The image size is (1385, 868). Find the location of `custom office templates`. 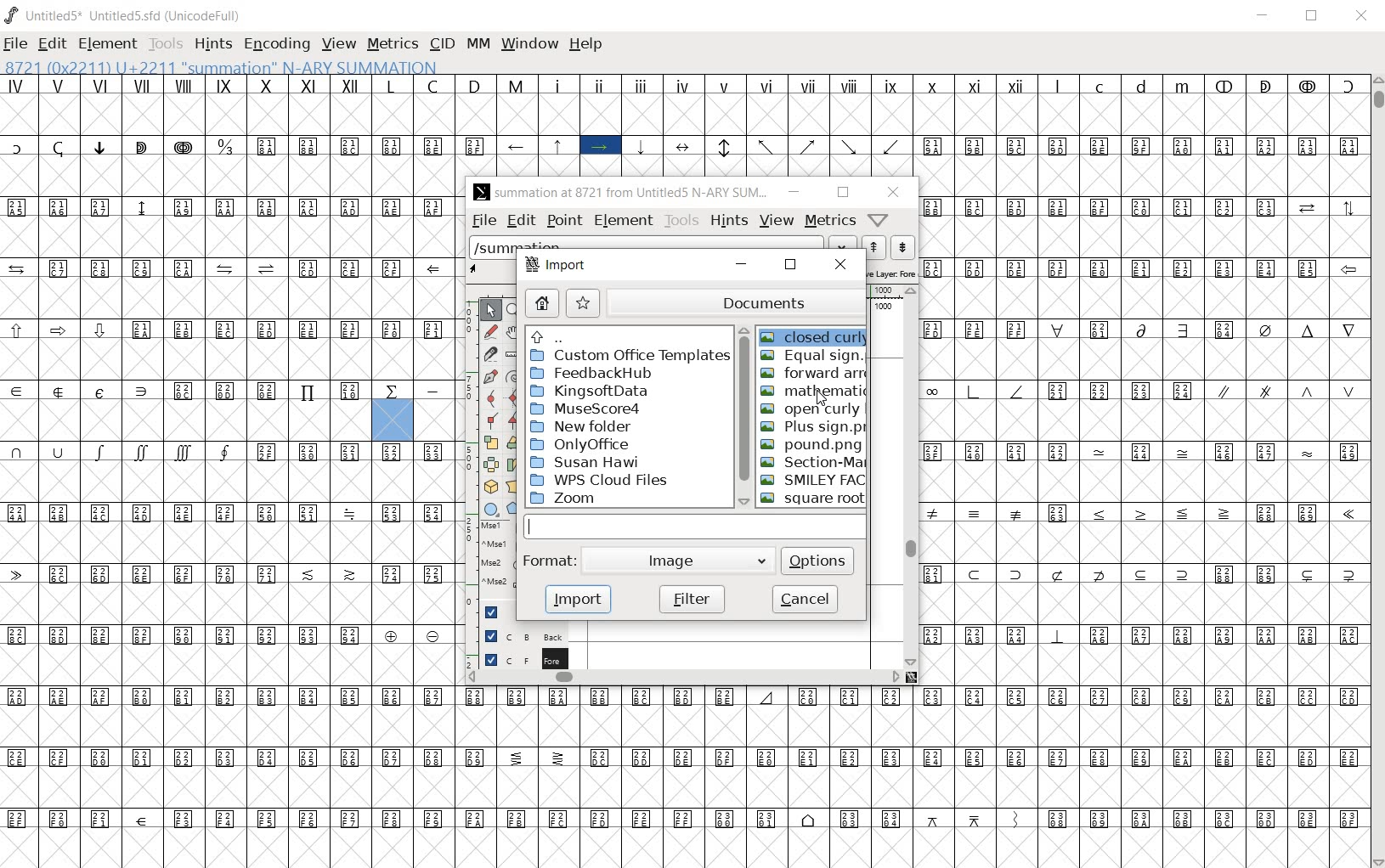

custom office templates is located at coordinates (630, 356).